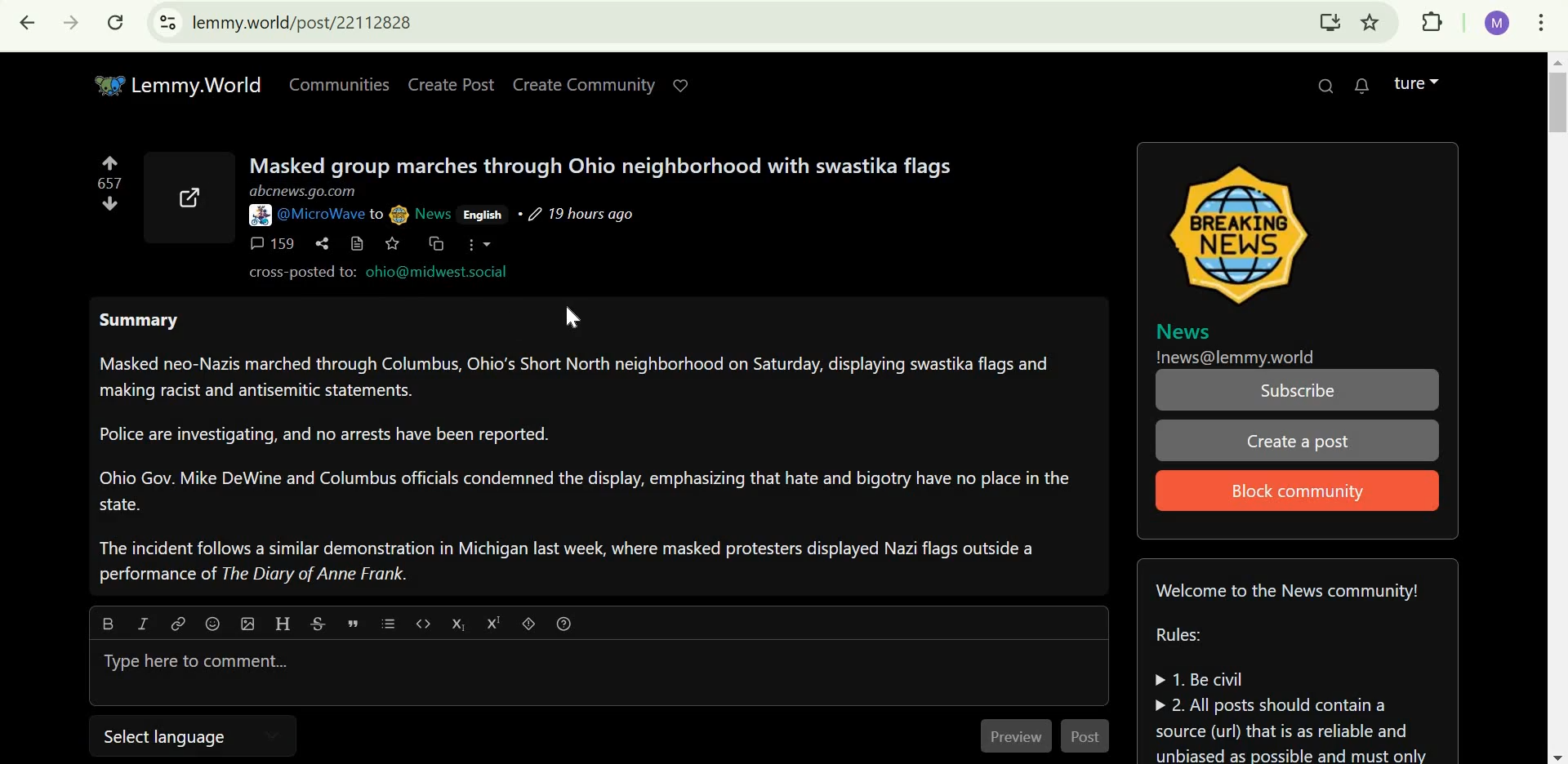  Describe the element at coordinates (187, 662) in the screenshot. I see `Type here to comment...` at that location.